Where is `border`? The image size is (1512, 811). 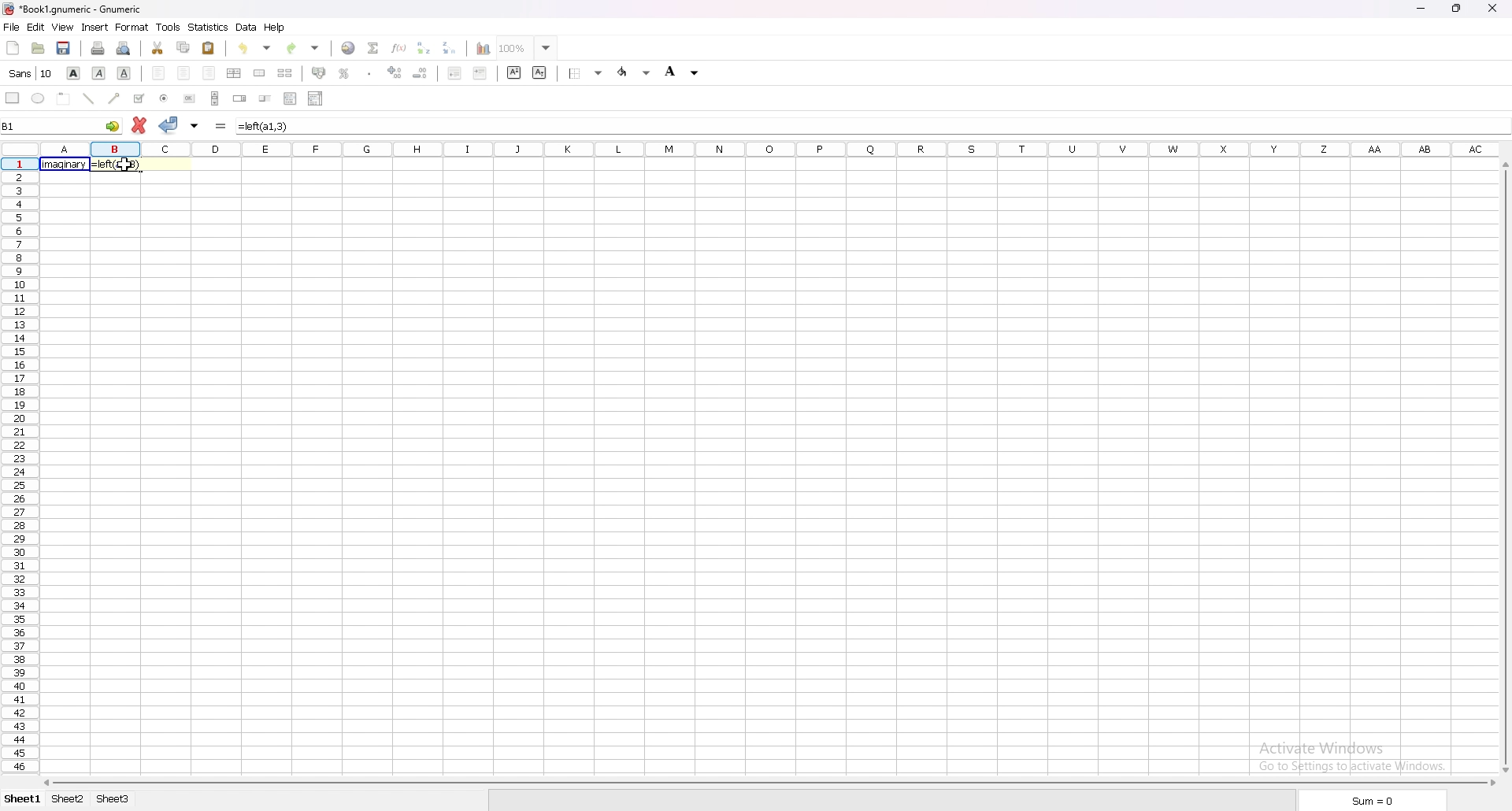
border is located at coordinates (584, 73).